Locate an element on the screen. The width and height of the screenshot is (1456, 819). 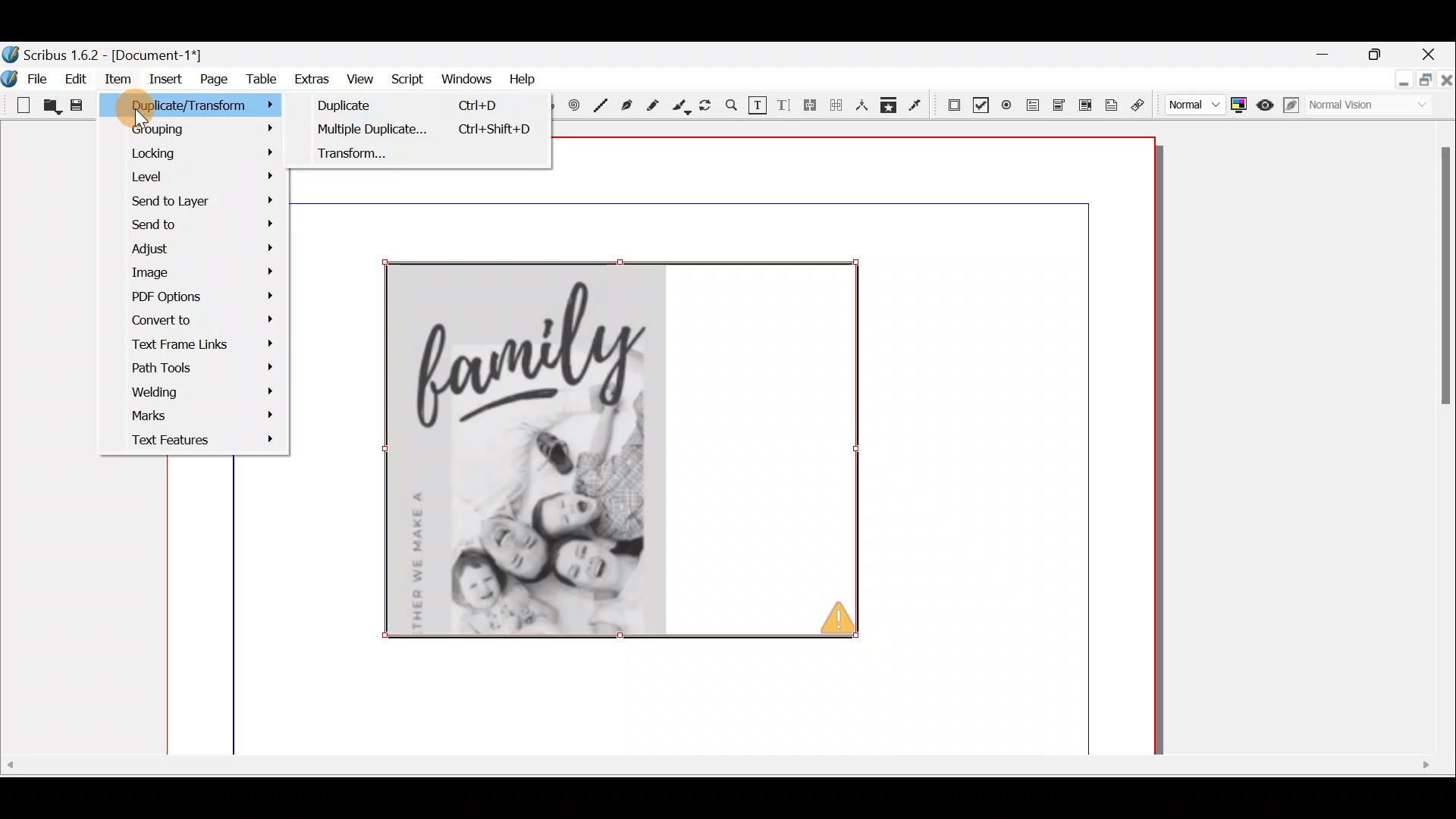
Copy item properties is located at coordinates (893, 107).